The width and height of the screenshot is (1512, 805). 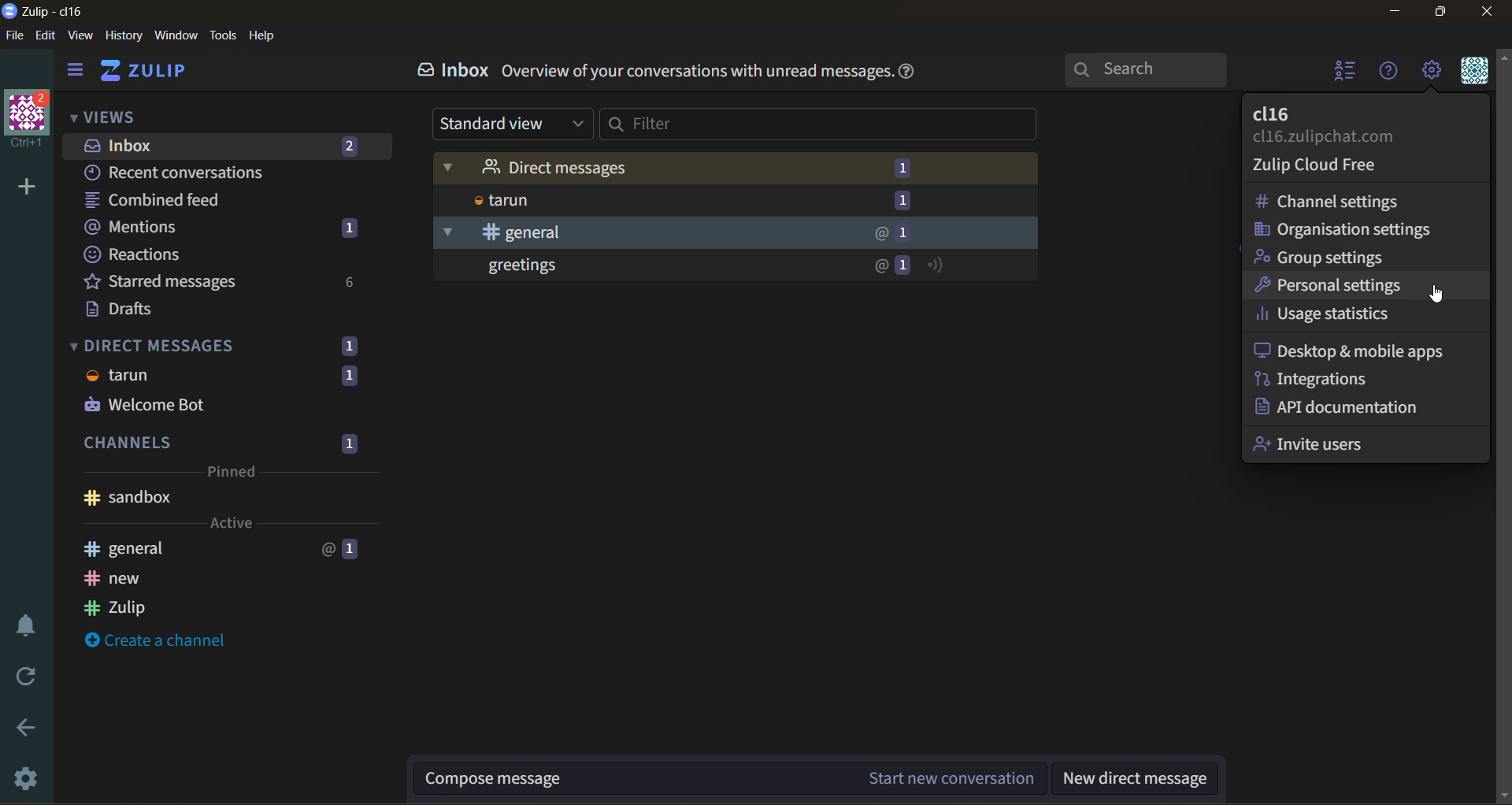 What do you see at coordinates (1389, 14) in the screenshot?
I see `minimize` at bounding box center [1389, 14].